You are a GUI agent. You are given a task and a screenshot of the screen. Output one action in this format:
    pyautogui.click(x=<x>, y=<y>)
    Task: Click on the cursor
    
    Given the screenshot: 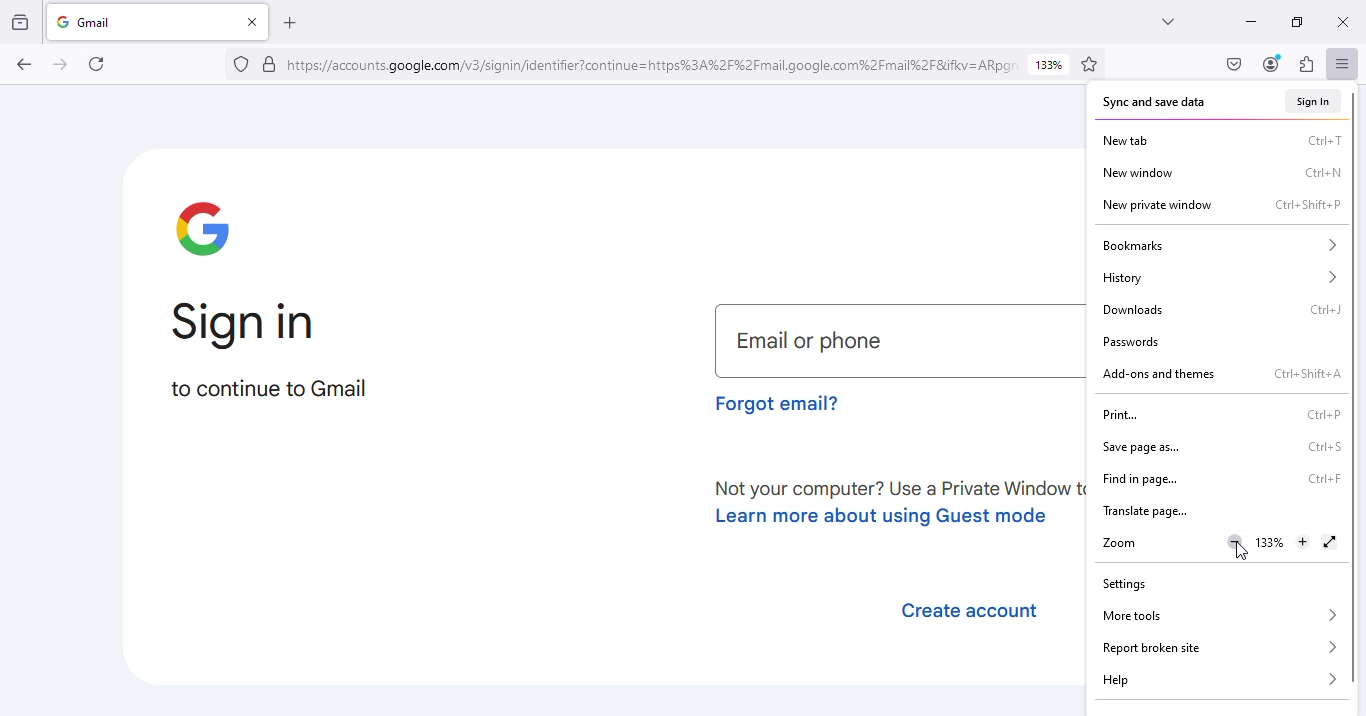 What is the action you would take?
    pyautogui.click(x=1243, y=551)
    